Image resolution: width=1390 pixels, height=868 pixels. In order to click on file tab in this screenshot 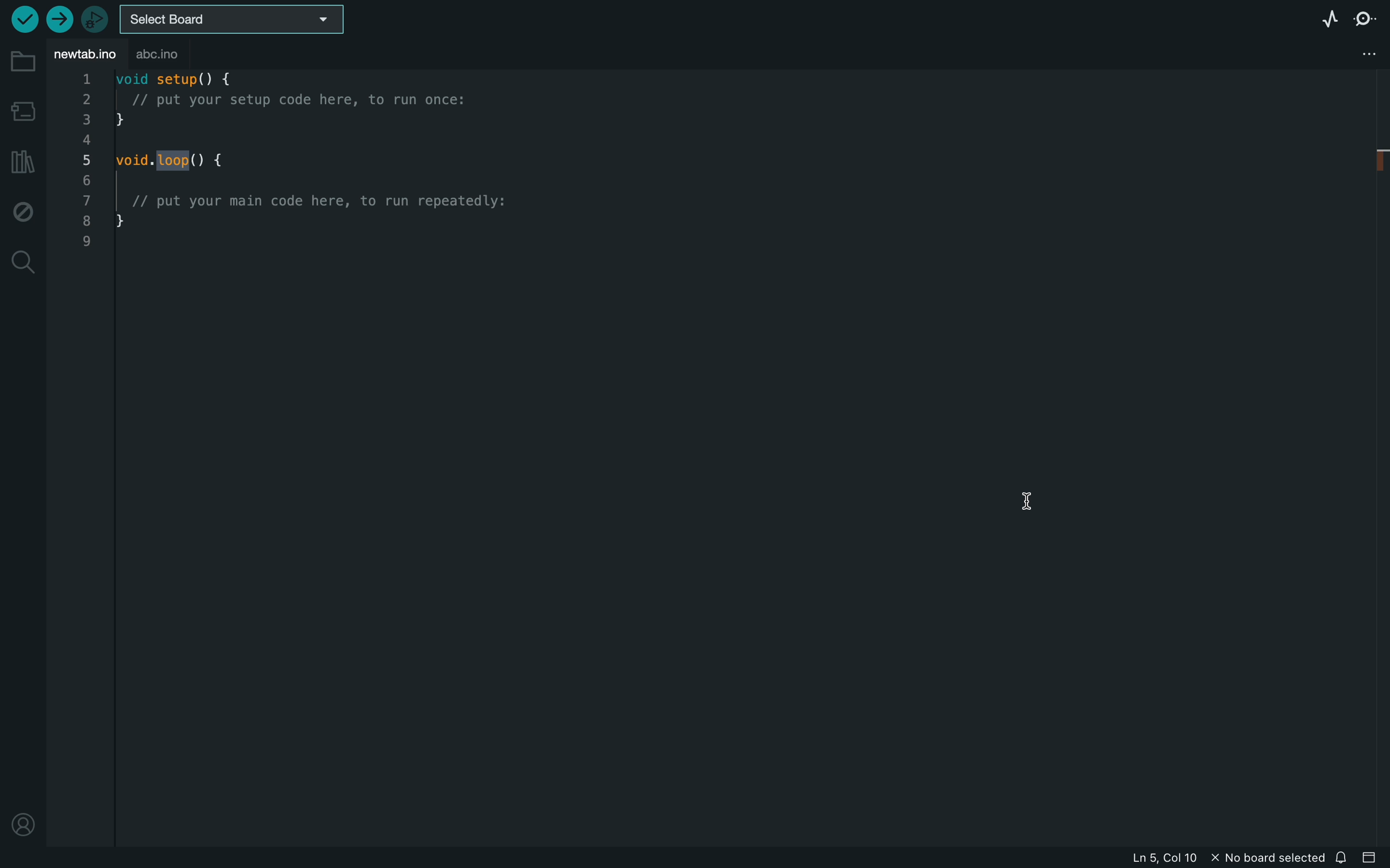, I will do `click(86, 55)`.